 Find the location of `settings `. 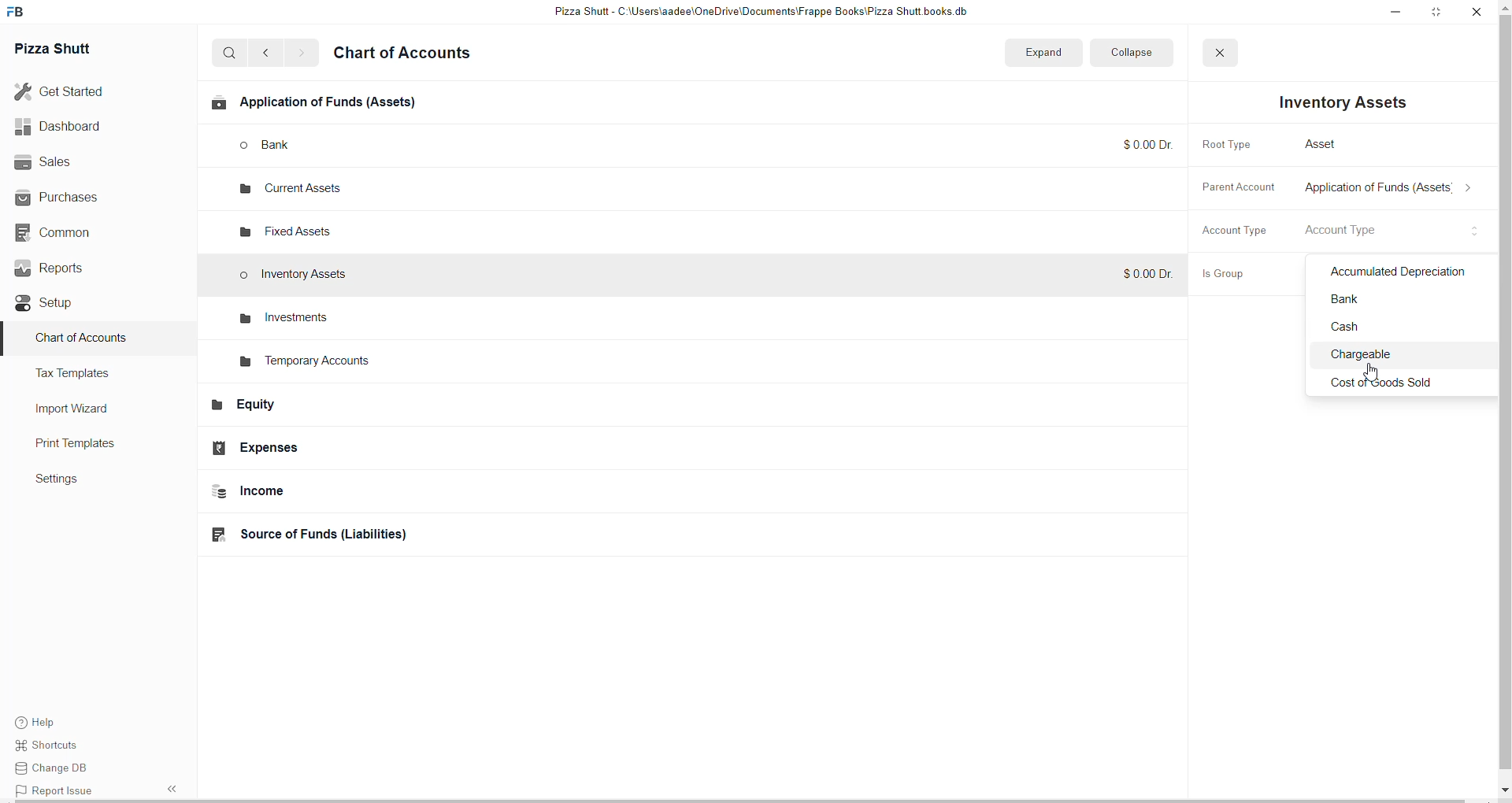

settings  is located at coordinates (72, 483).